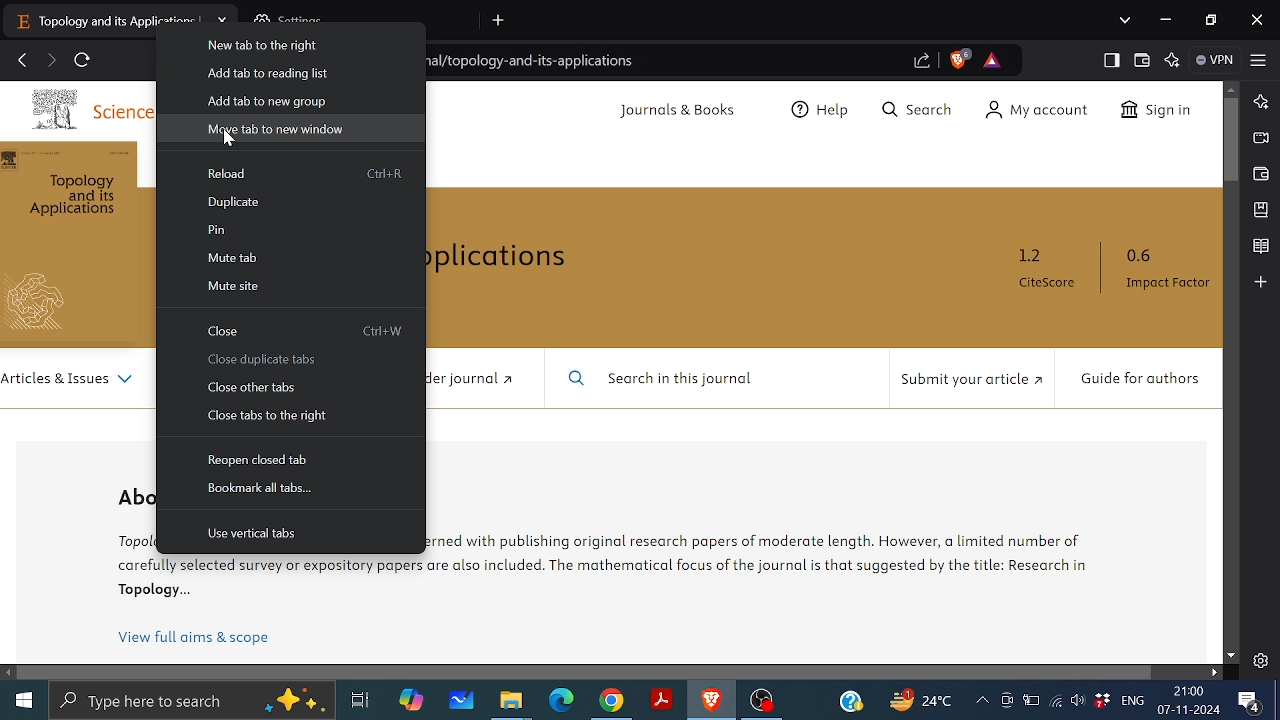  I want to click on New tab to the right, so click(265, 46).